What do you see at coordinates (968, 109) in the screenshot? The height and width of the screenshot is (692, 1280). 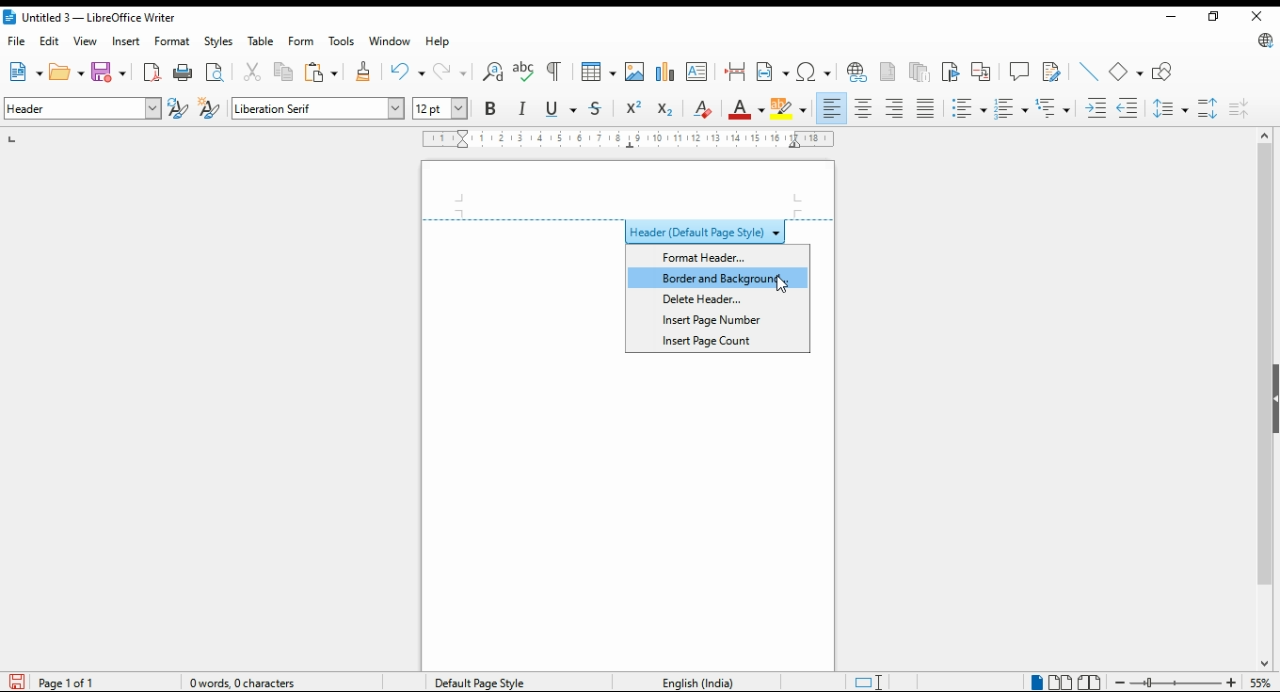 I see `toggle unordered list` at bounding box center [968, 109].